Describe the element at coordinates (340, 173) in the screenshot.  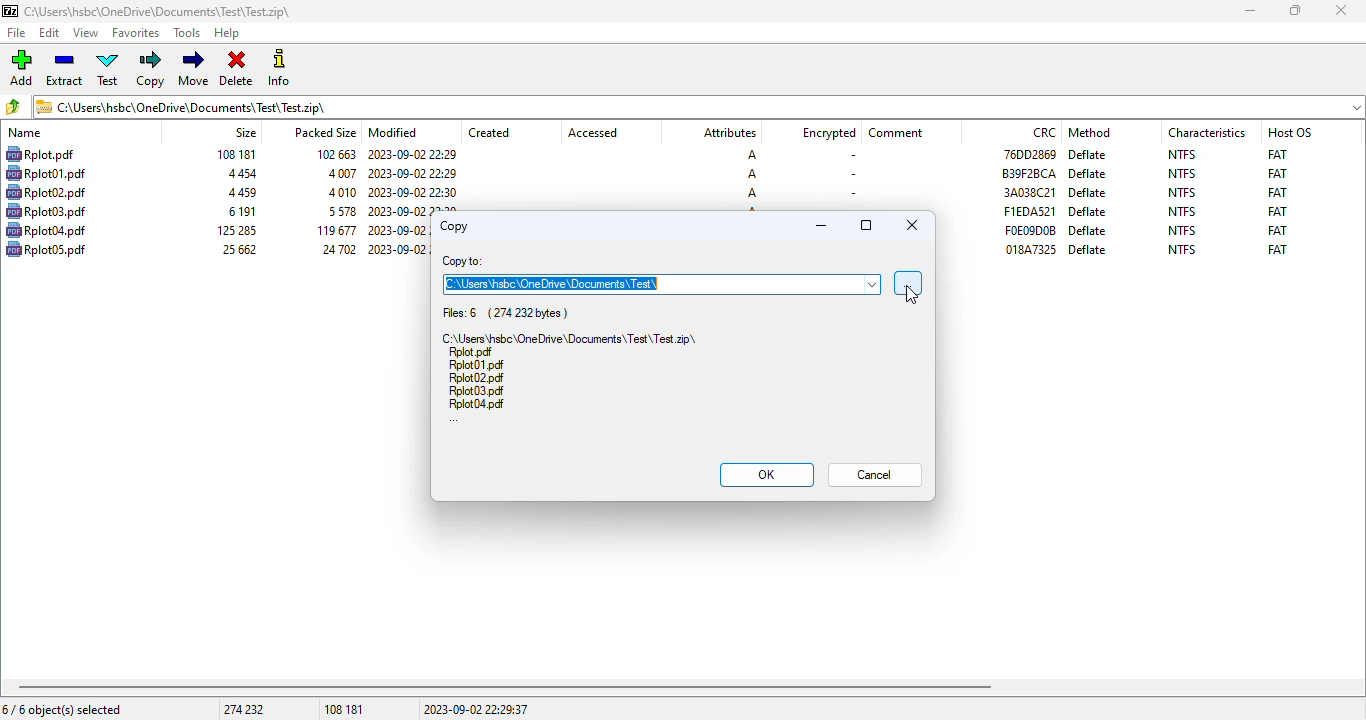
I see `packed size` at that location.